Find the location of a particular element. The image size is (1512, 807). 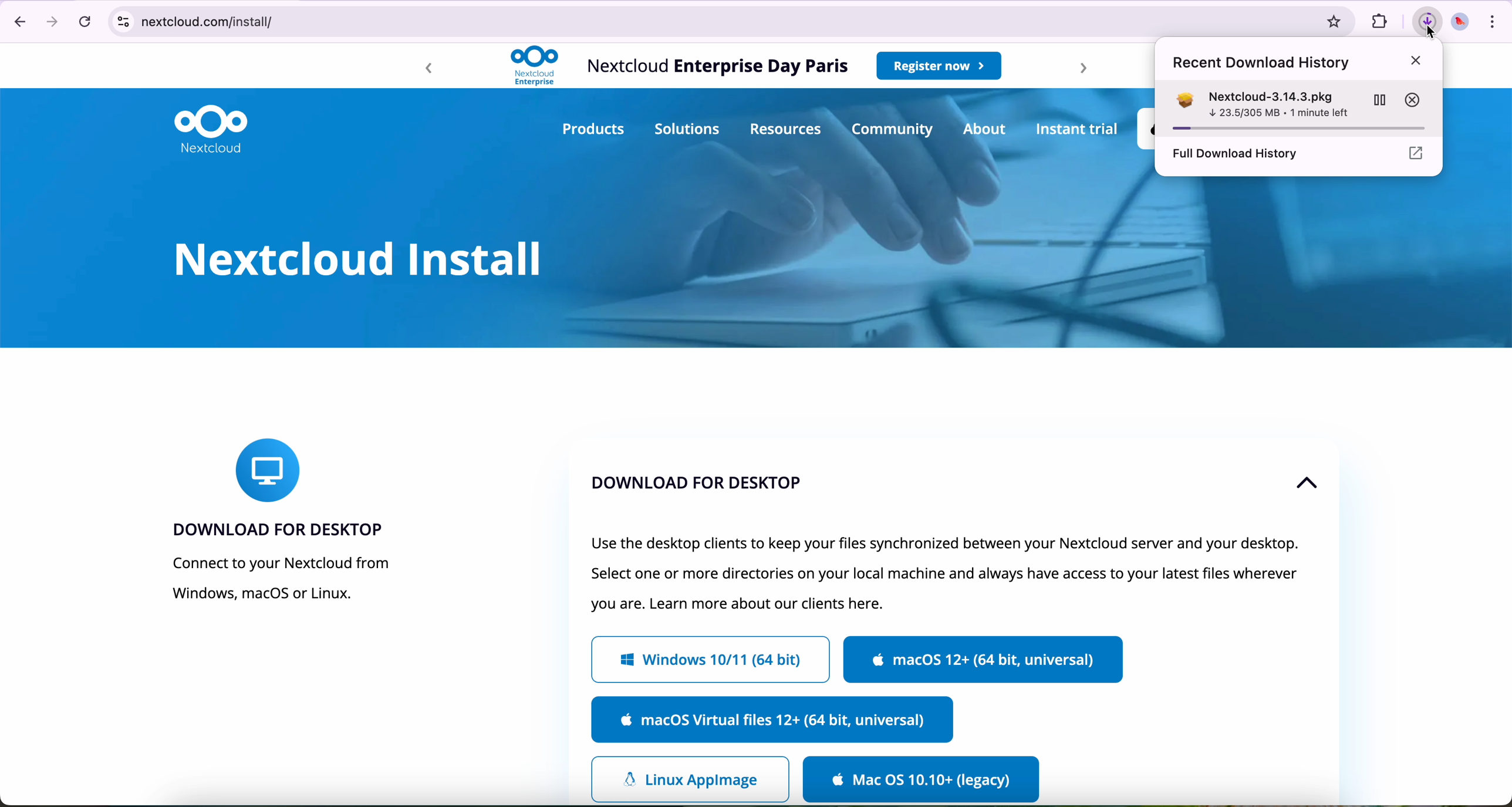

Nextcloud install is located at coordinates (355, 258).